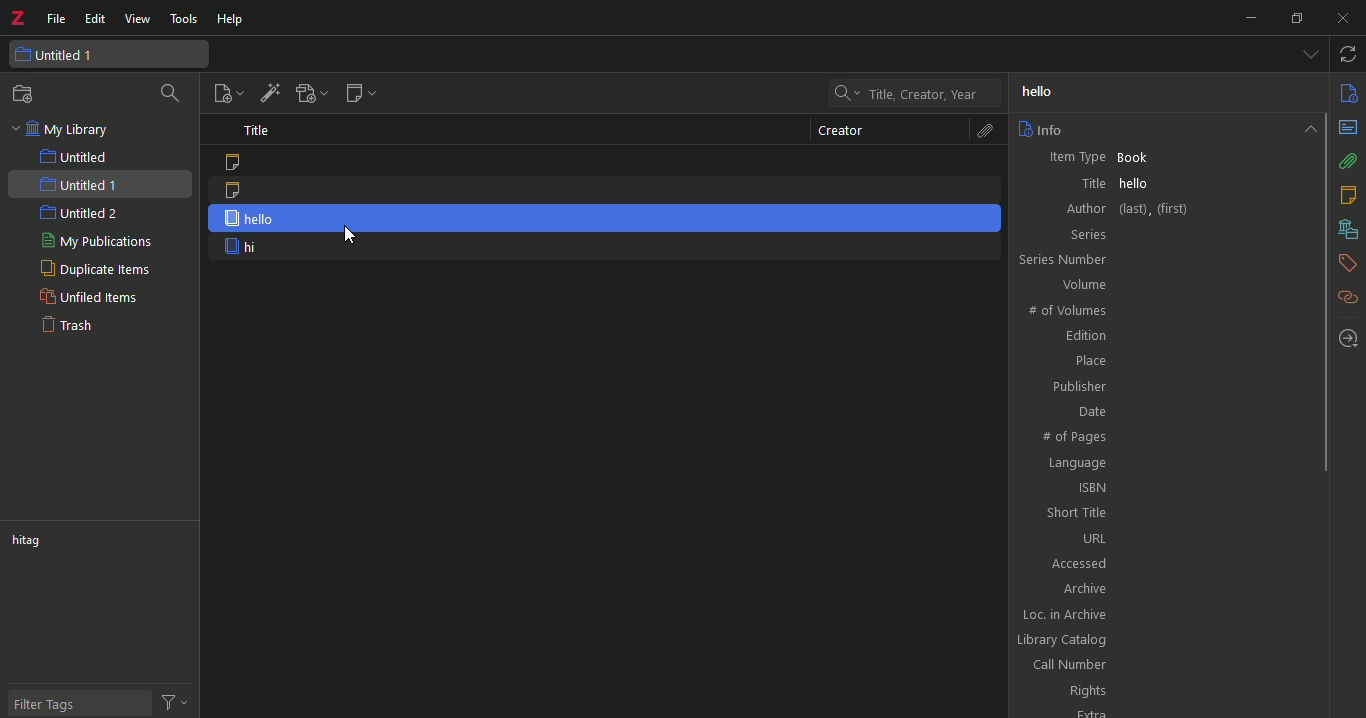  Describe the element at coordinates (1047, 130) in the screenshot. I see `info` at that location.